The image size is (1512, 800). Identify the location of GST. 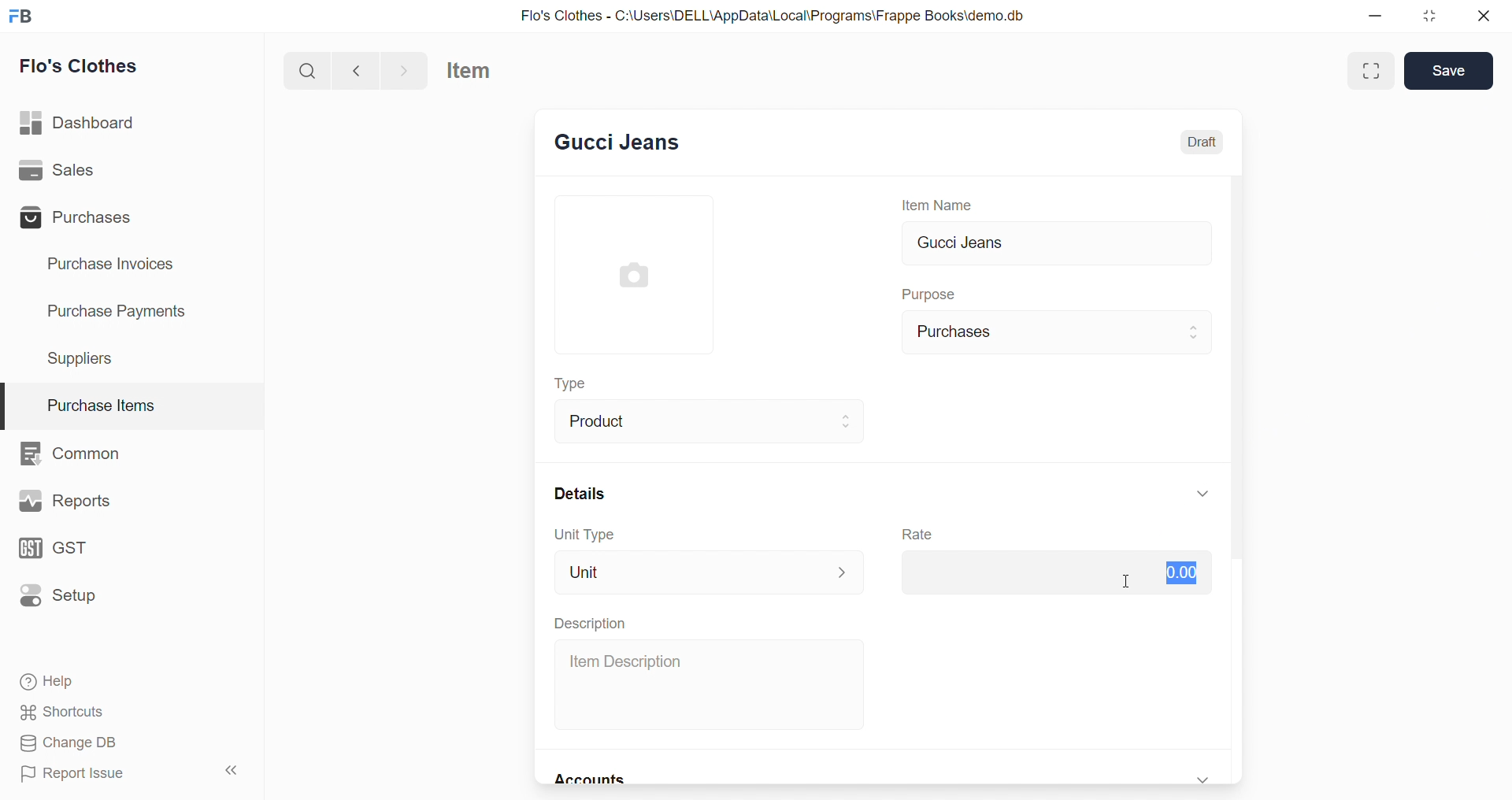
(74, 550).